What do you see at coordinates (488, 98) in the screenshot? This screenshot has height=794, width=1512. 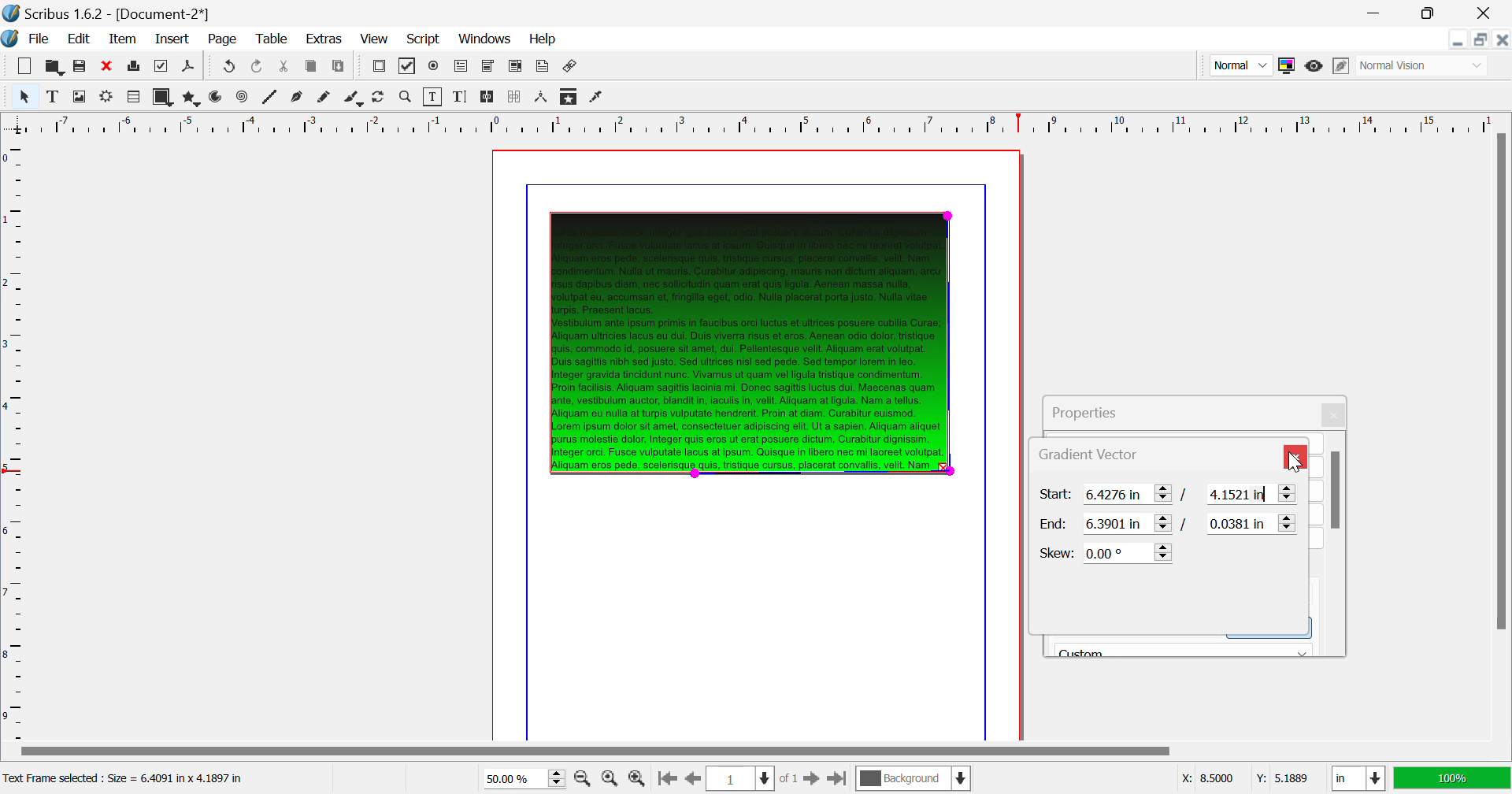 I see `Link Text Frames` at bounding box center [488, 98].